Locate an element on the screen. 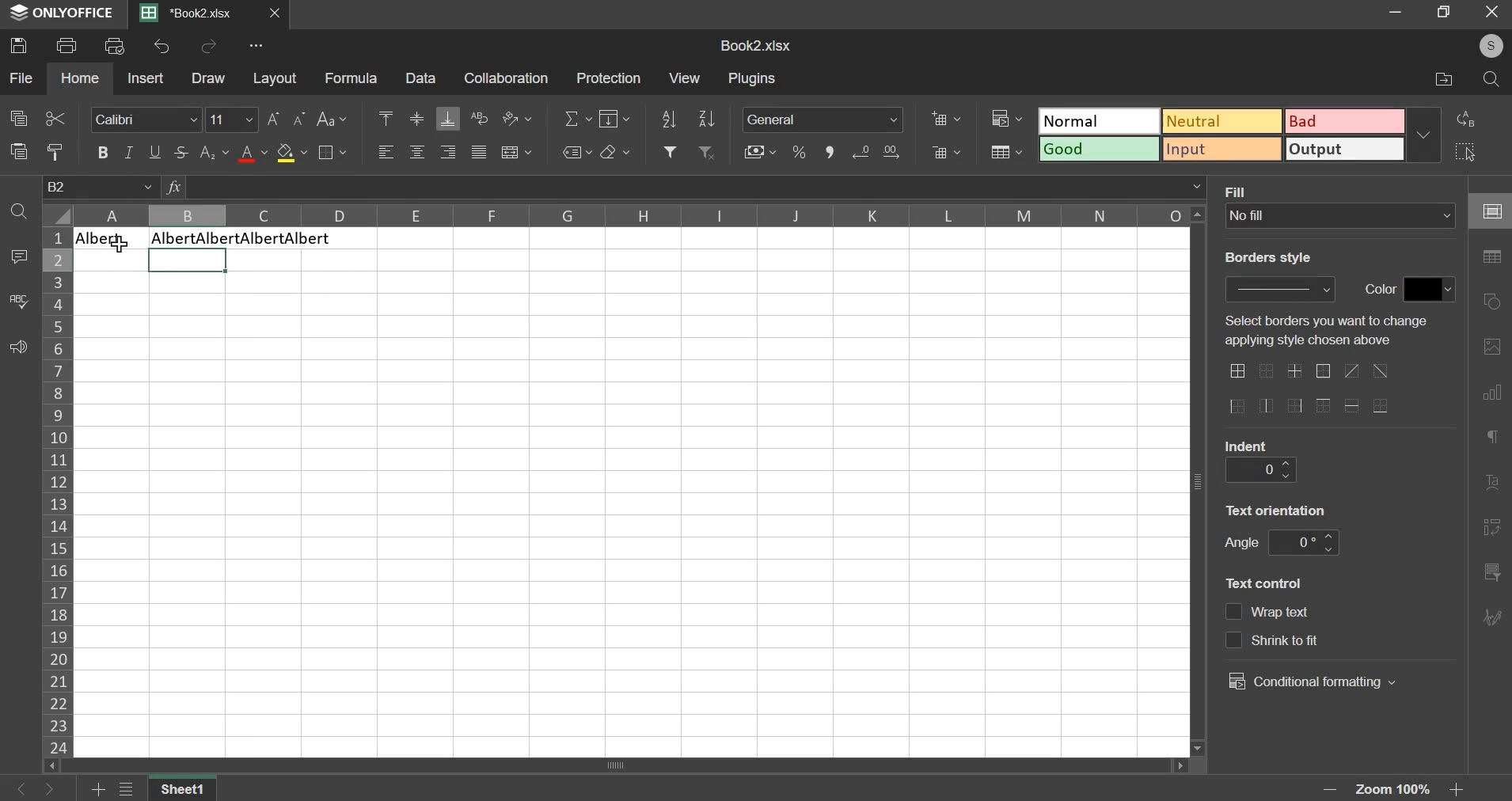 This screenshot has height=801, width=1512. collaboration is located at coordinates (507, 78).